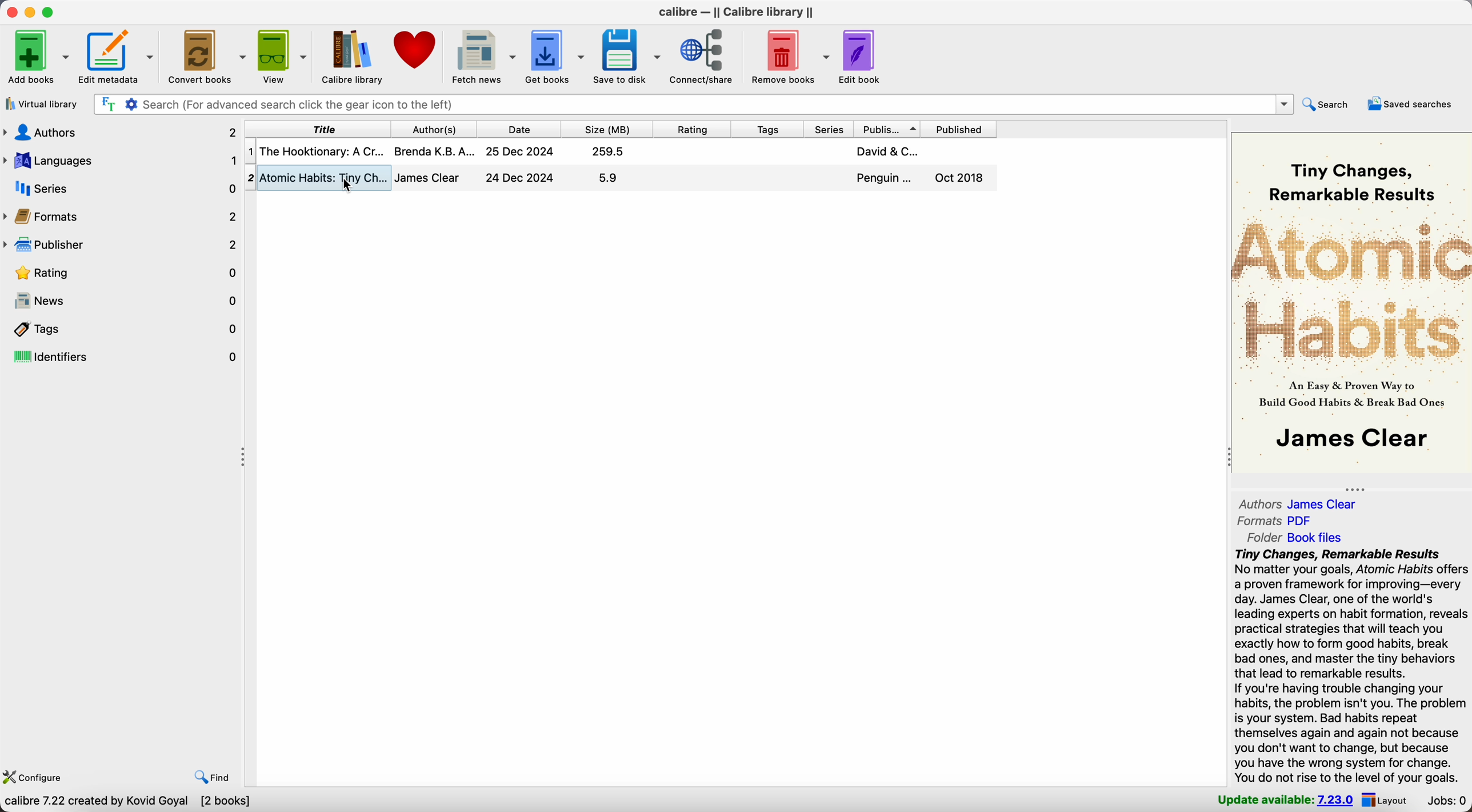 Image resolution: width=1472 pixels, height=812 pixels. I want to click on layout, so click(1387, 801).